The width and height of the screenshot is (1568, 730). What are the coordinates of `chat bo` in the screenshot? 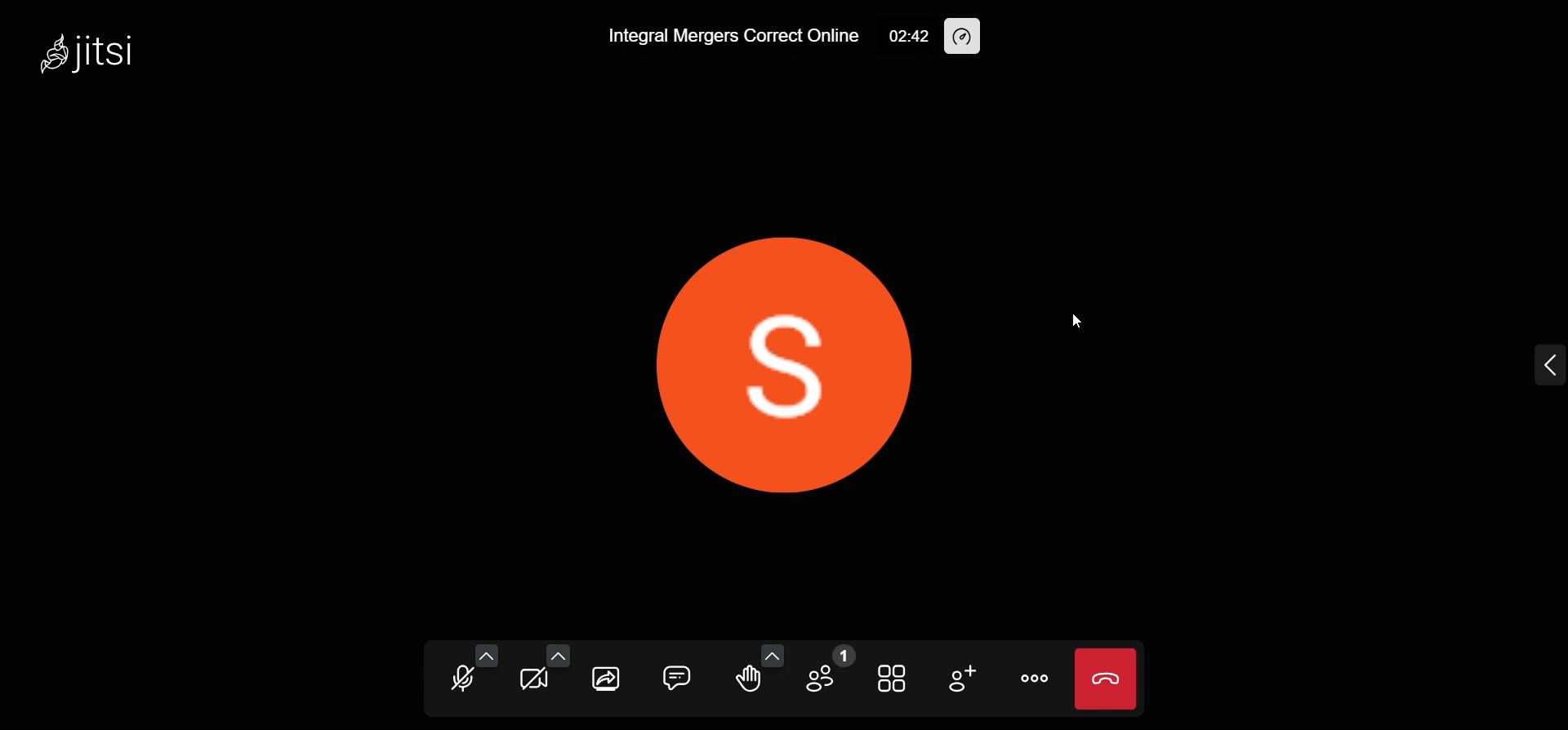 It's located at (680, 676).